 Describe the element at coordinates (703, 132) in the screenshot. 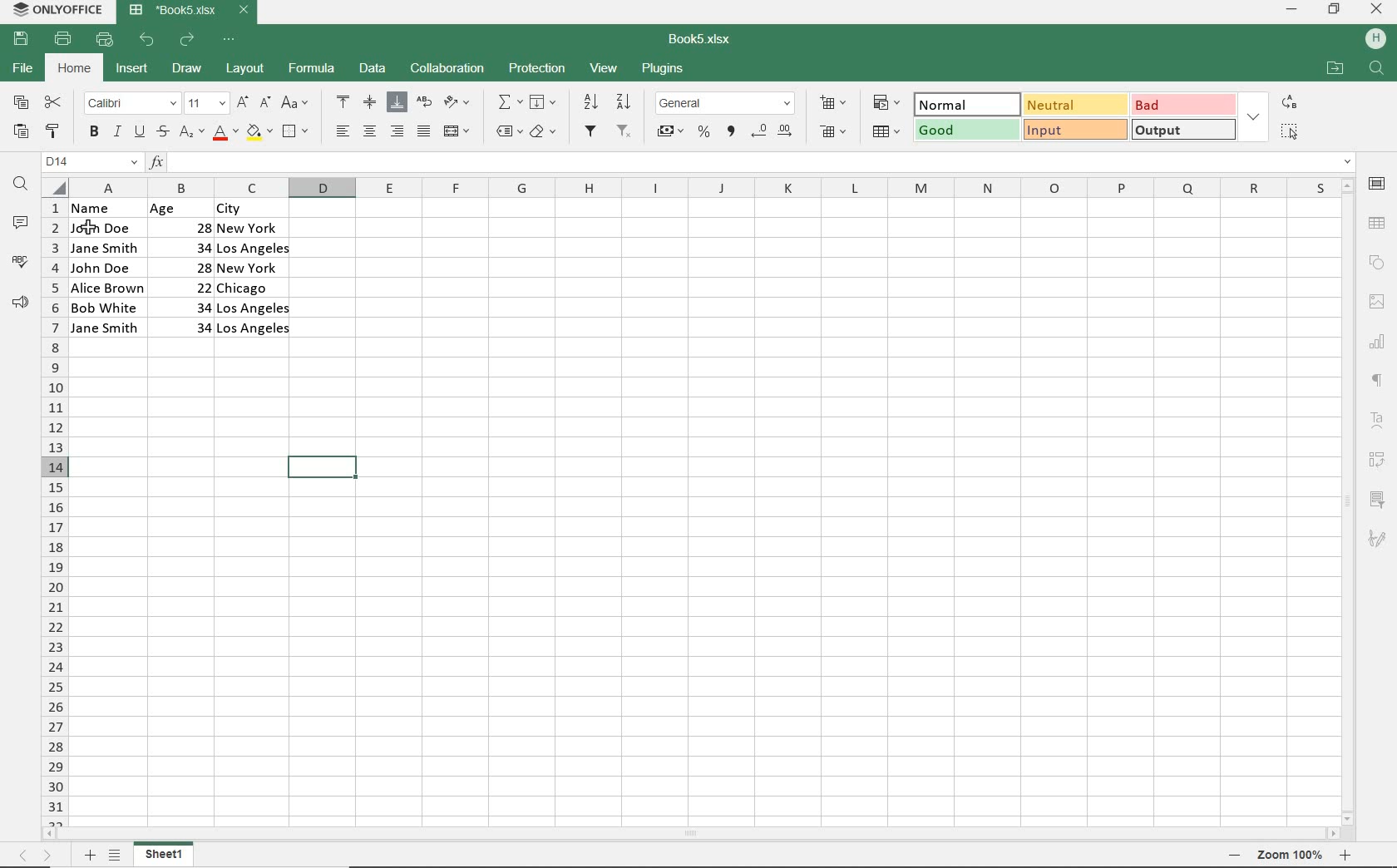

I see `PERCENT STYLE` at that location.